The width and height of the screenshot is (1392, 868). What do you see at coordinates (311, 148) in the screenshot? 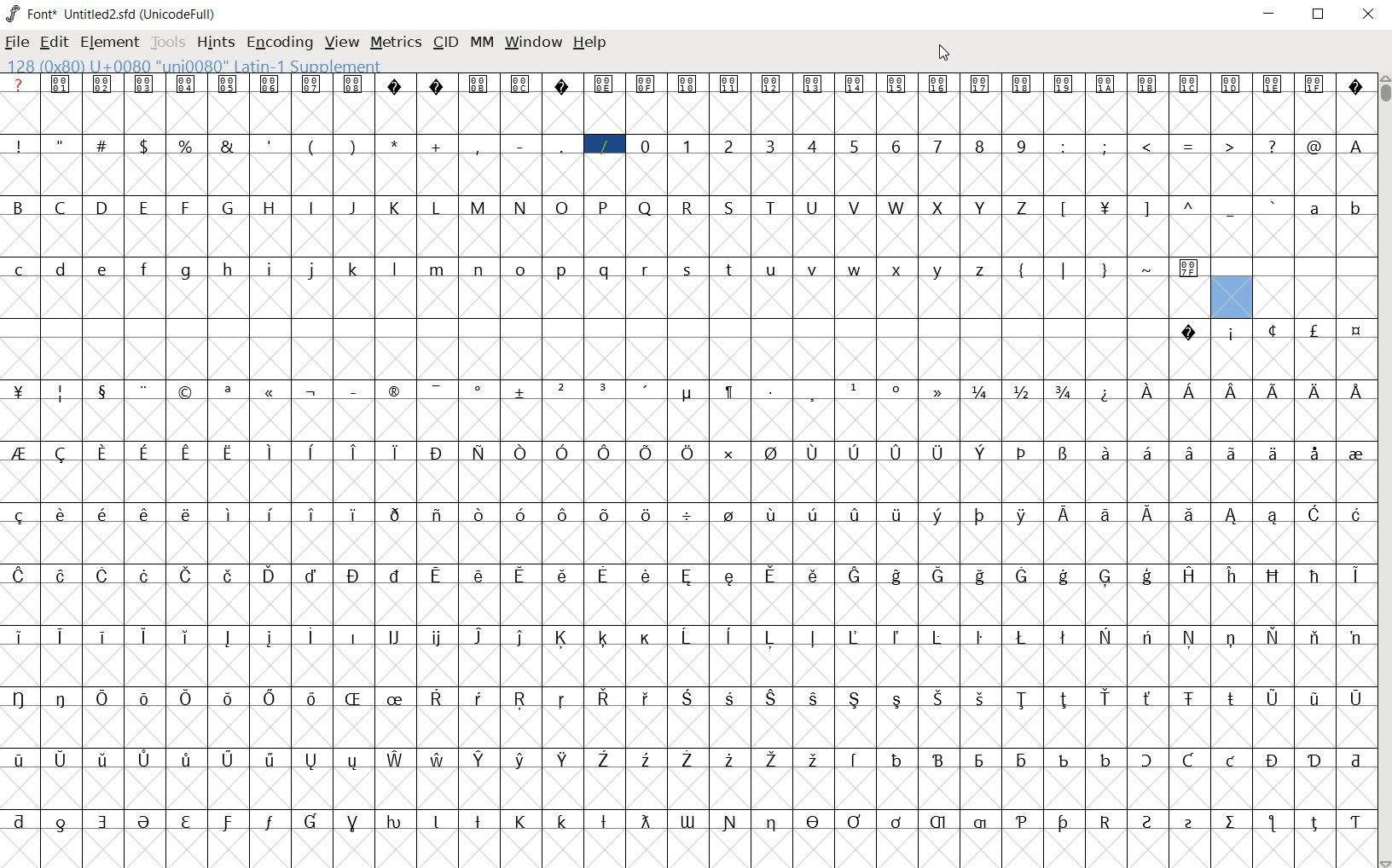
I see `glyph` at bounding box center [311, 148].